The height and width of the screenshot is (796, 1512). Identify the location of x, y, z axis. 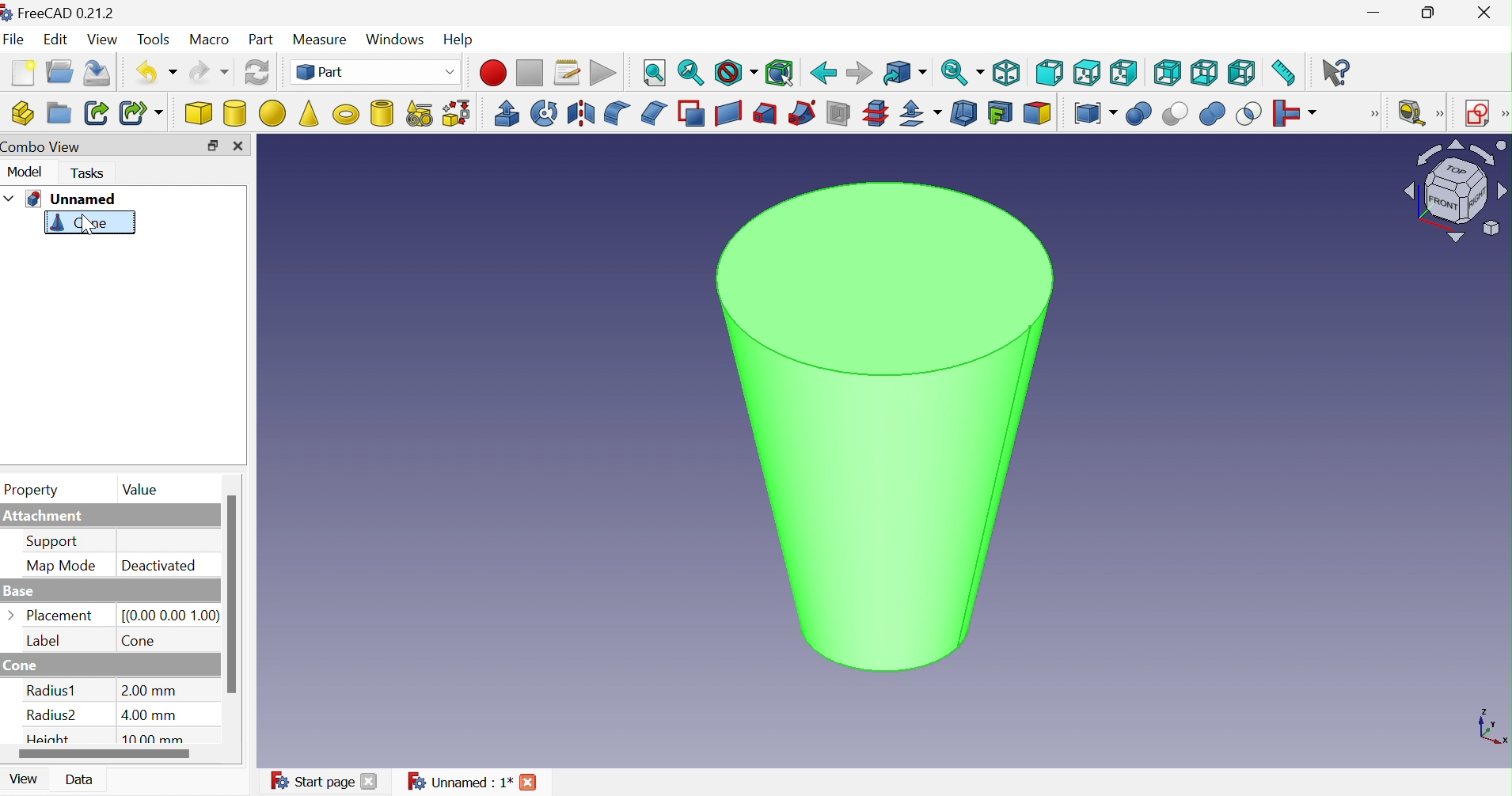
(1491, 729).